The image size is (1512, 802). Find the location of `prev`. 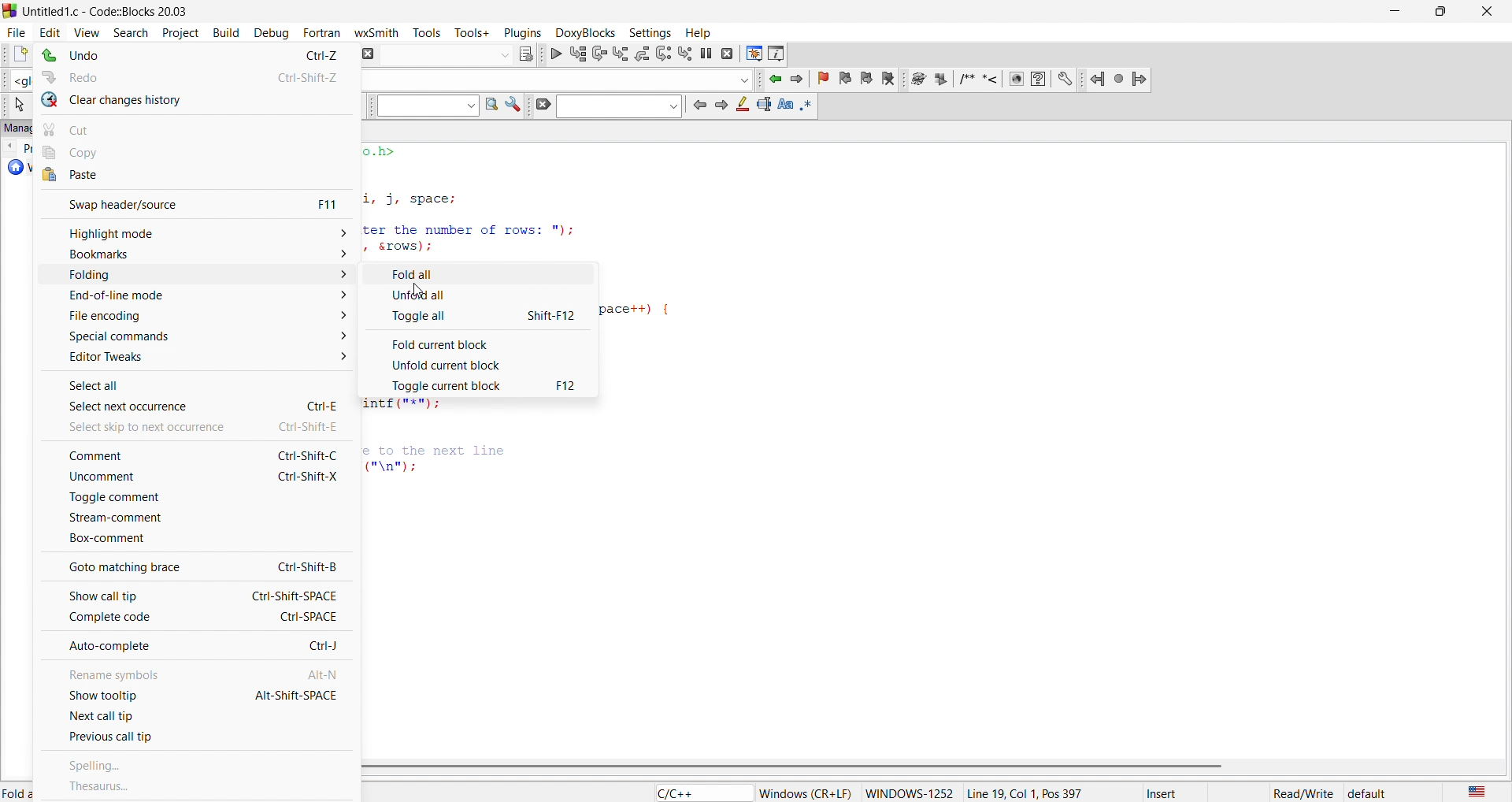

prev is located at coordinates (699, 105).